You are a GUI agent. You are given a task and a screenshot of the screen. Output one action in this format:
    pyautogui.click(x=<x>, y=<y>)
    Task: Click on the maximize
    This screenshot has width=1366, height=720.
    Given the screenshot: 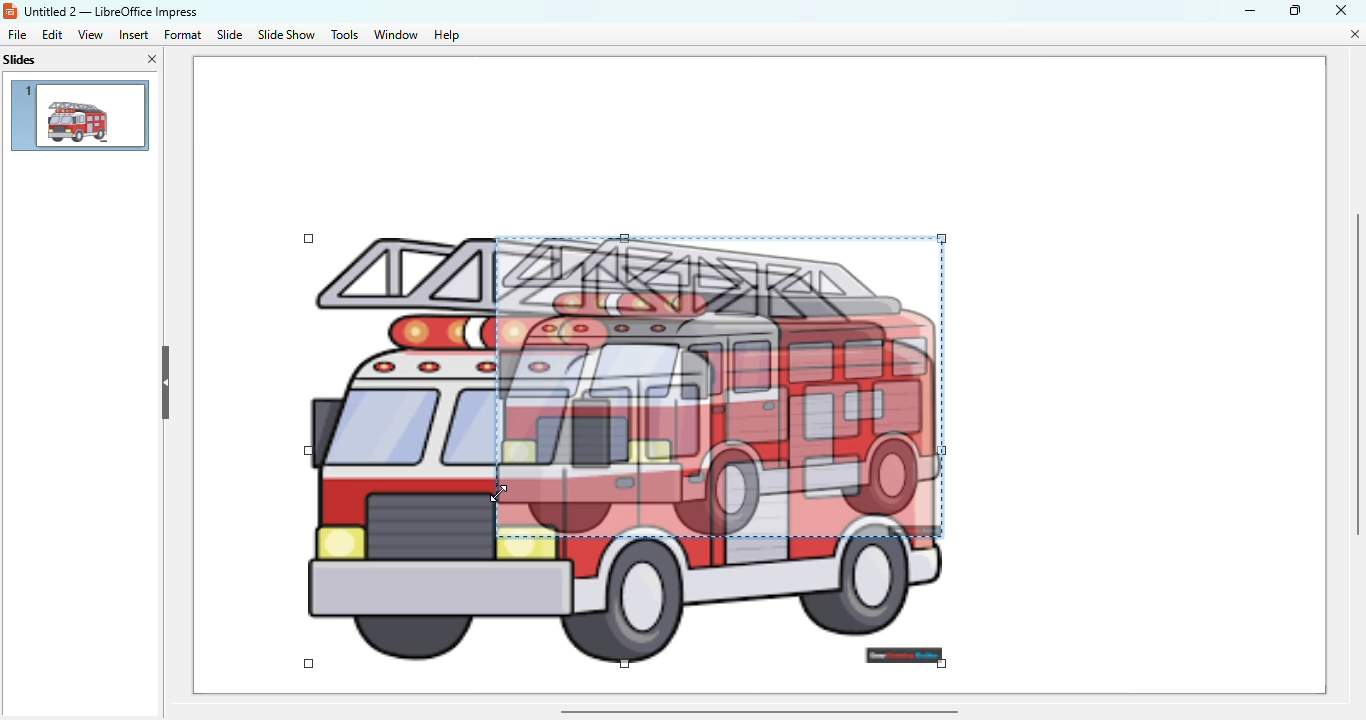 What is the action you would take?
    pyautogui.click(x=1297, y=9)
    